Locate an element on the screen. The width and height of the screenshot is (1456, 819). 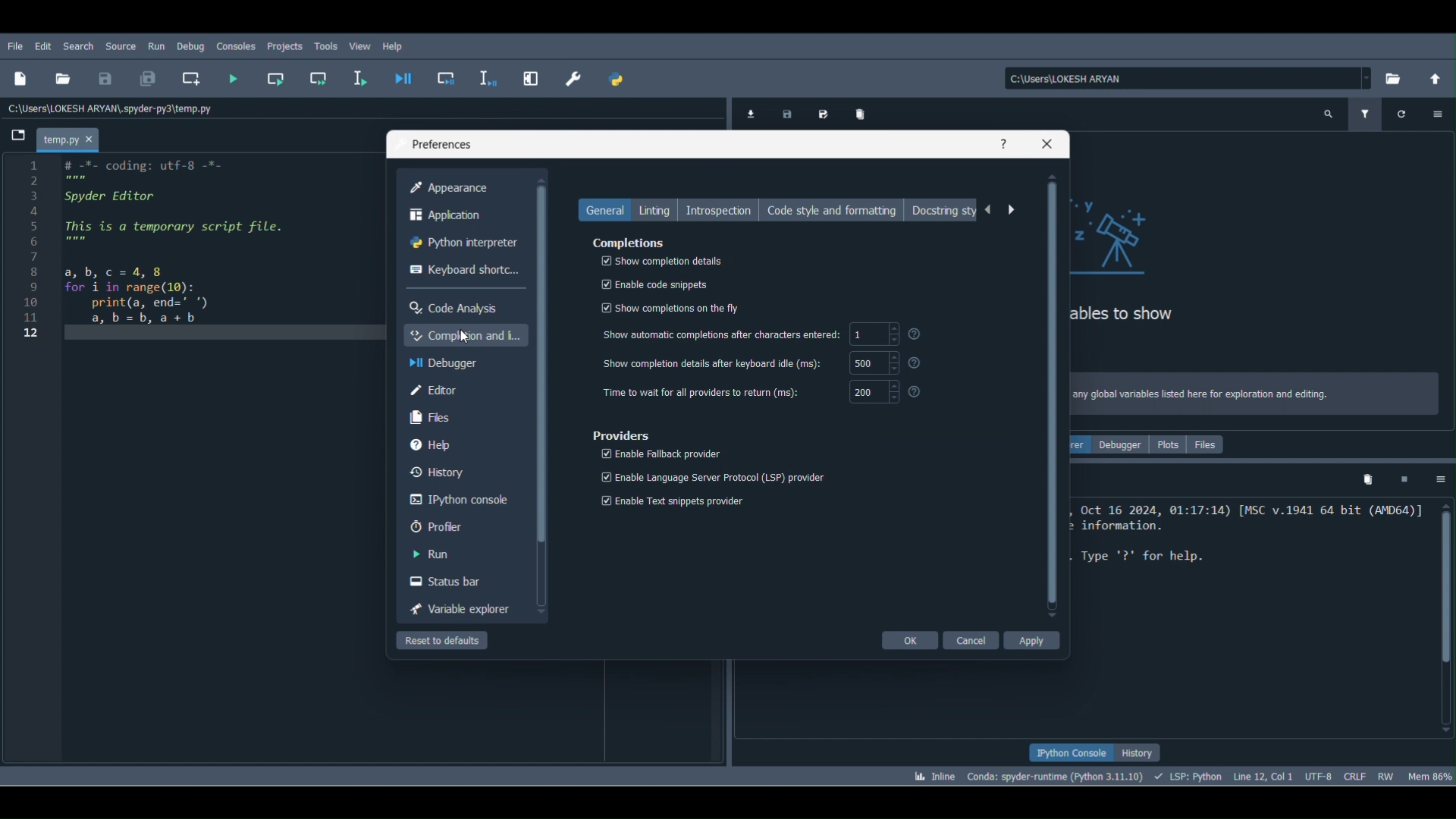
Providers is located at coordinates (618, 435).